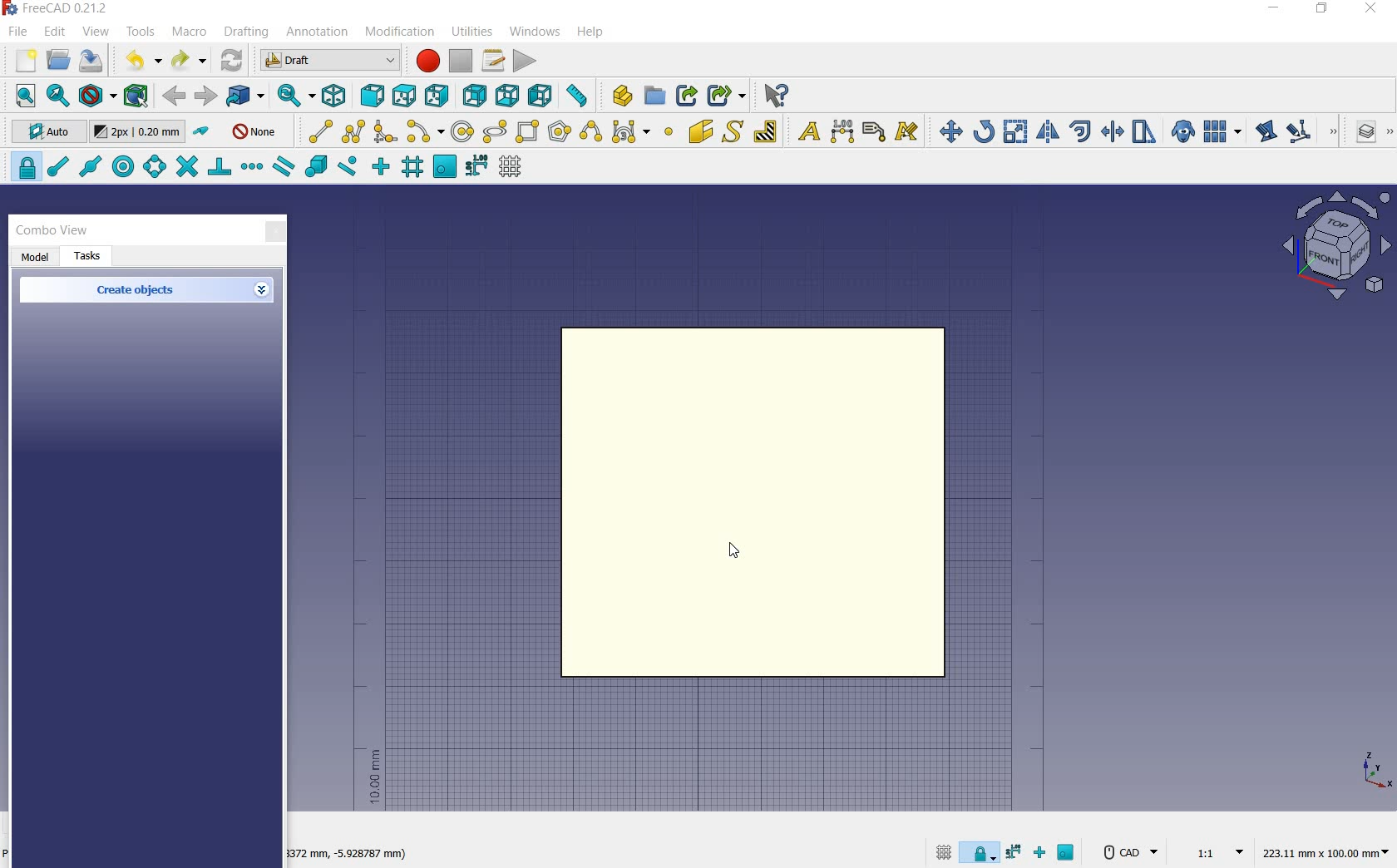 This screenshot has width=1397, height=868. Describe the element at coordinates (1081, 131) in the screenshot. I see `offset` at that location.